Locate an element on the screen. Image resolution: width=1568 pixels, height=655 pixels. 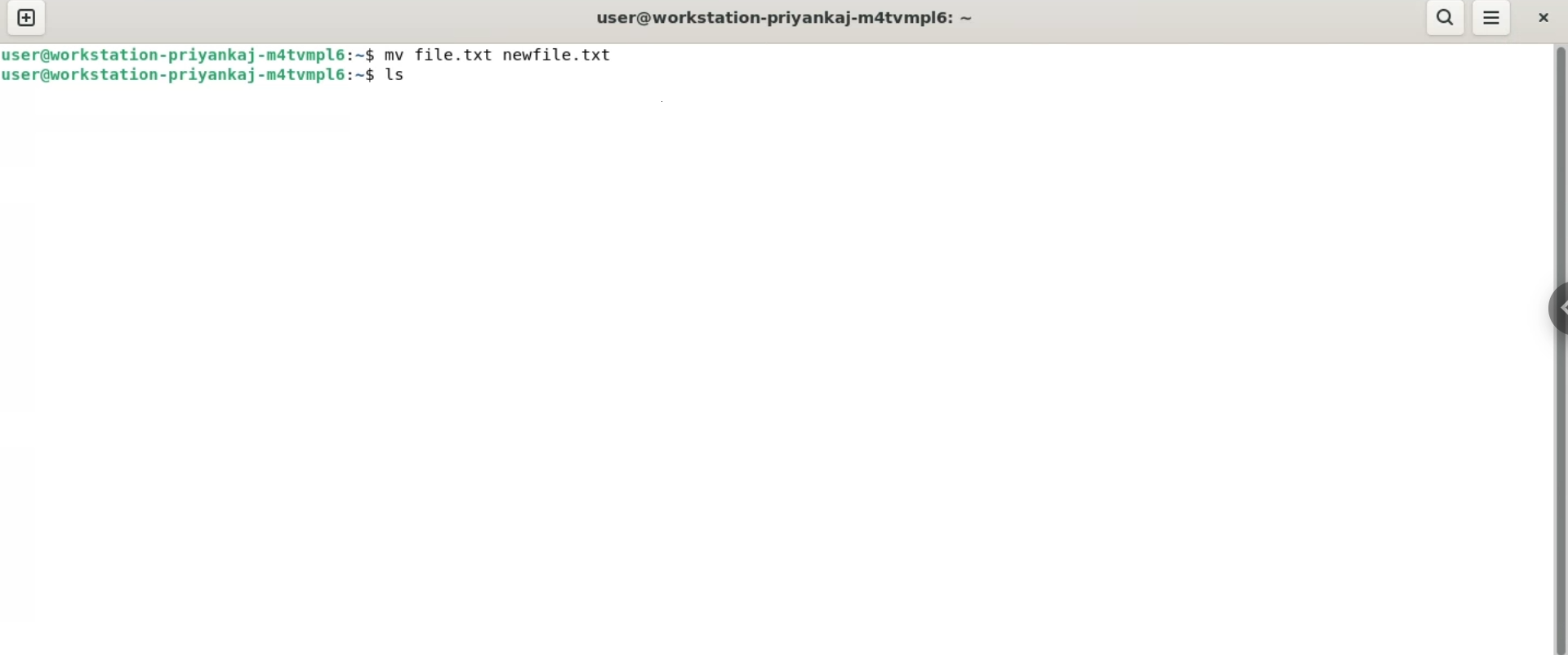
ls is located at coordinates (400, 76).